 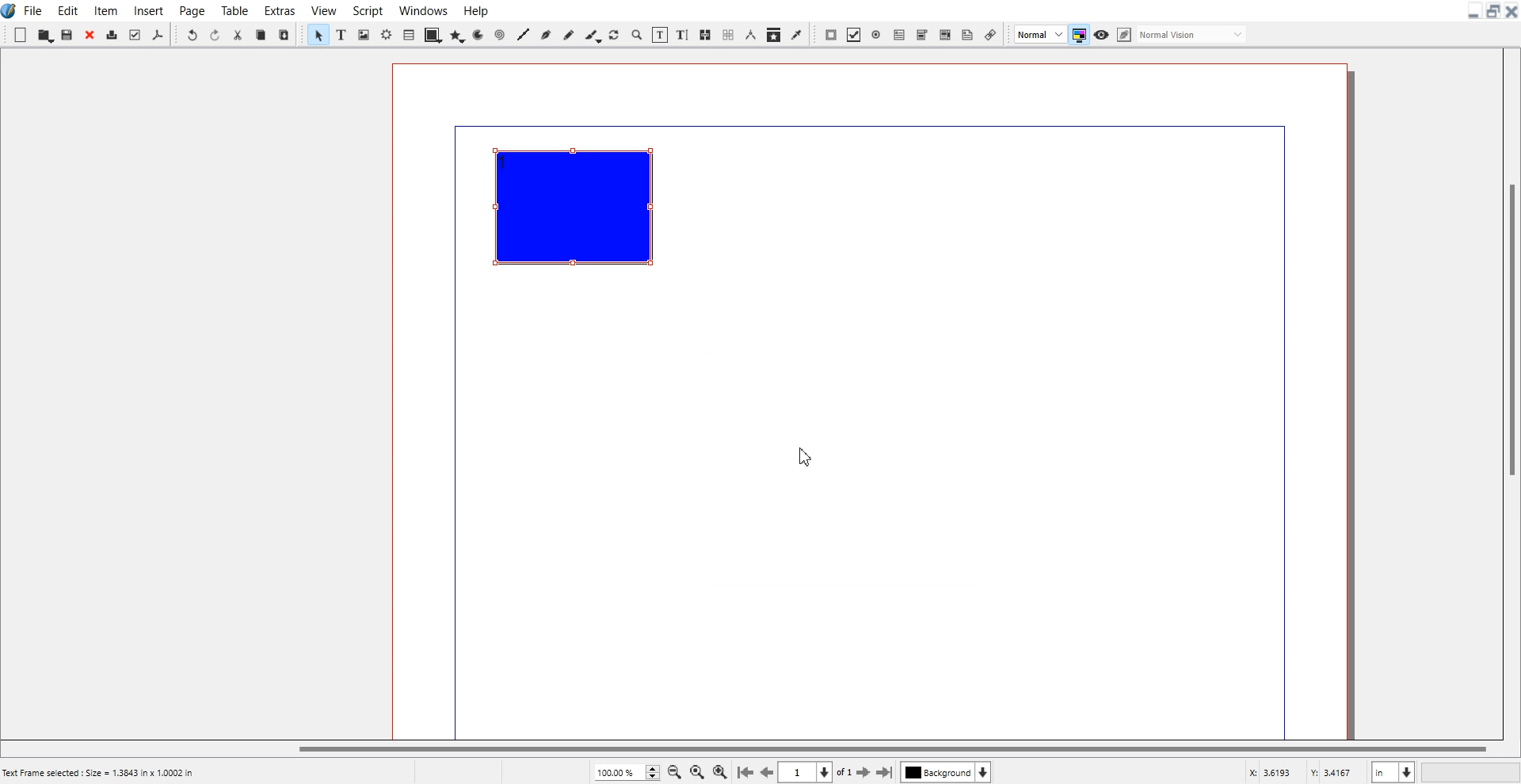 What do you see at coordinates (637, 34) in the screenshot?
I see `Zoom In to out` at bounding box center [637, 34].